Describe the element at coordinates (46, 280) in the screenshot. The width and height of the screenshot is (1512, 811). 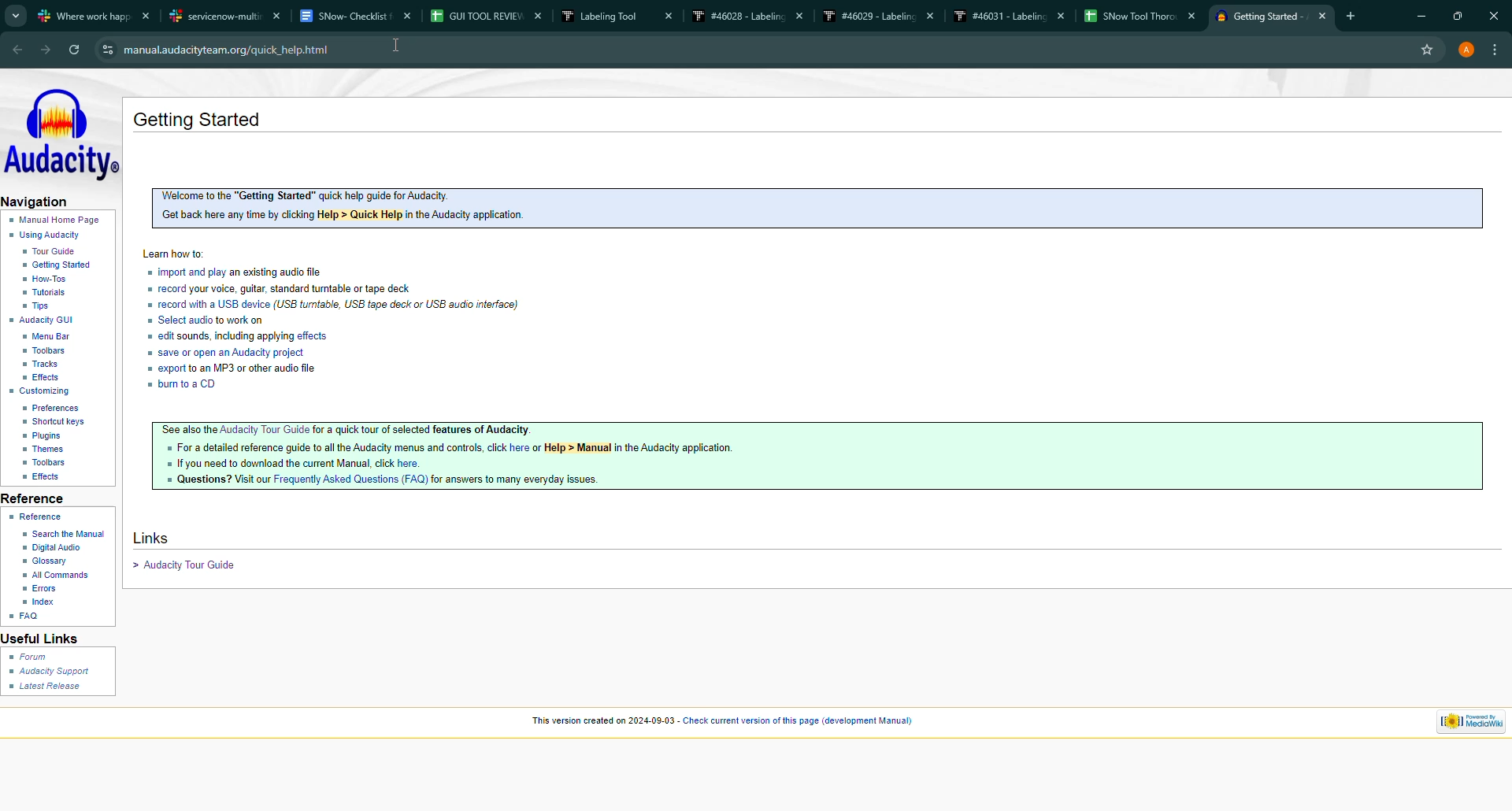
I see `how` at that location.